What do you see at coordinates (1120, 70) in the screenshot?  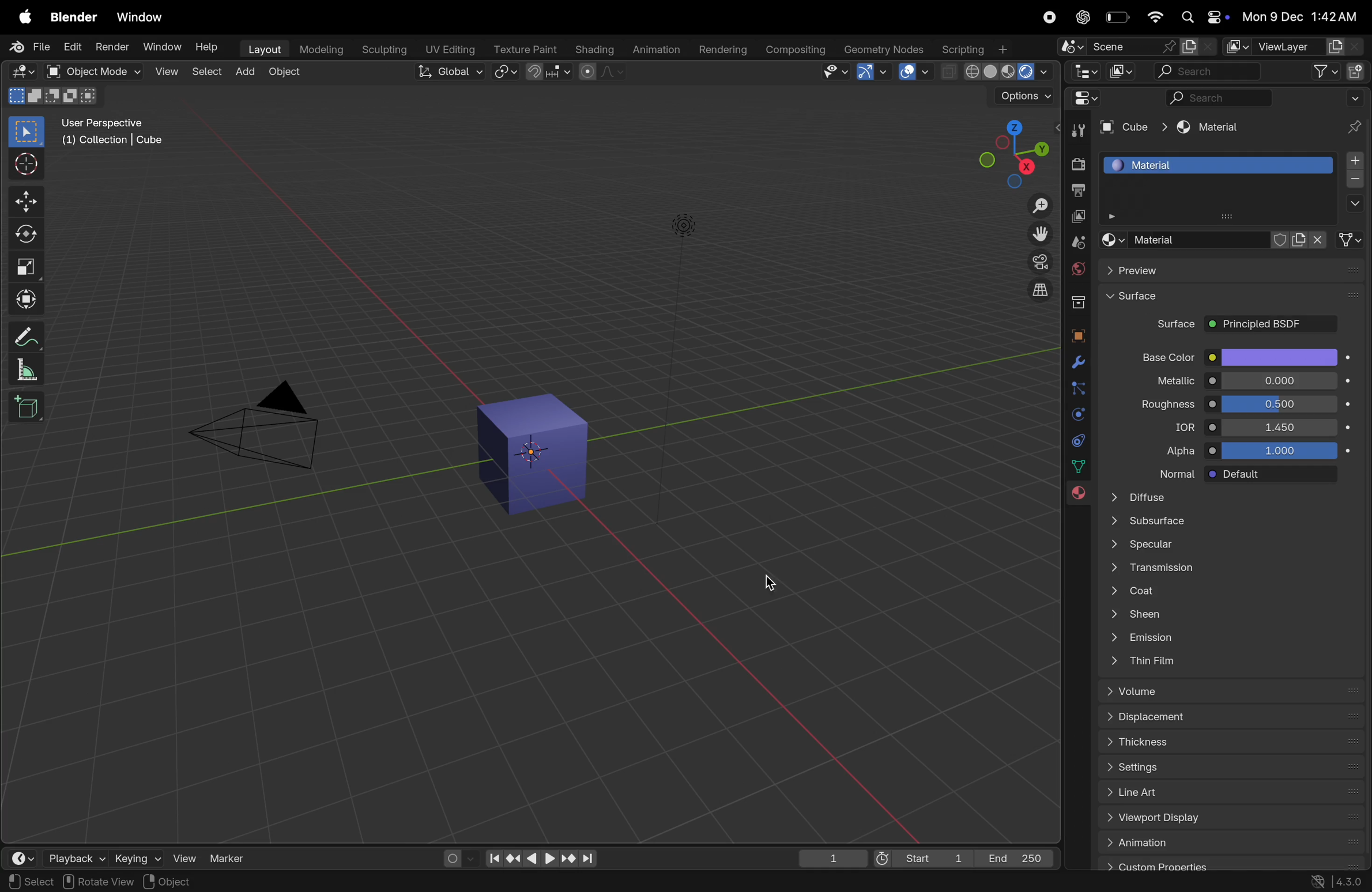 I see `display mode` at bounding box center [1120, 70].